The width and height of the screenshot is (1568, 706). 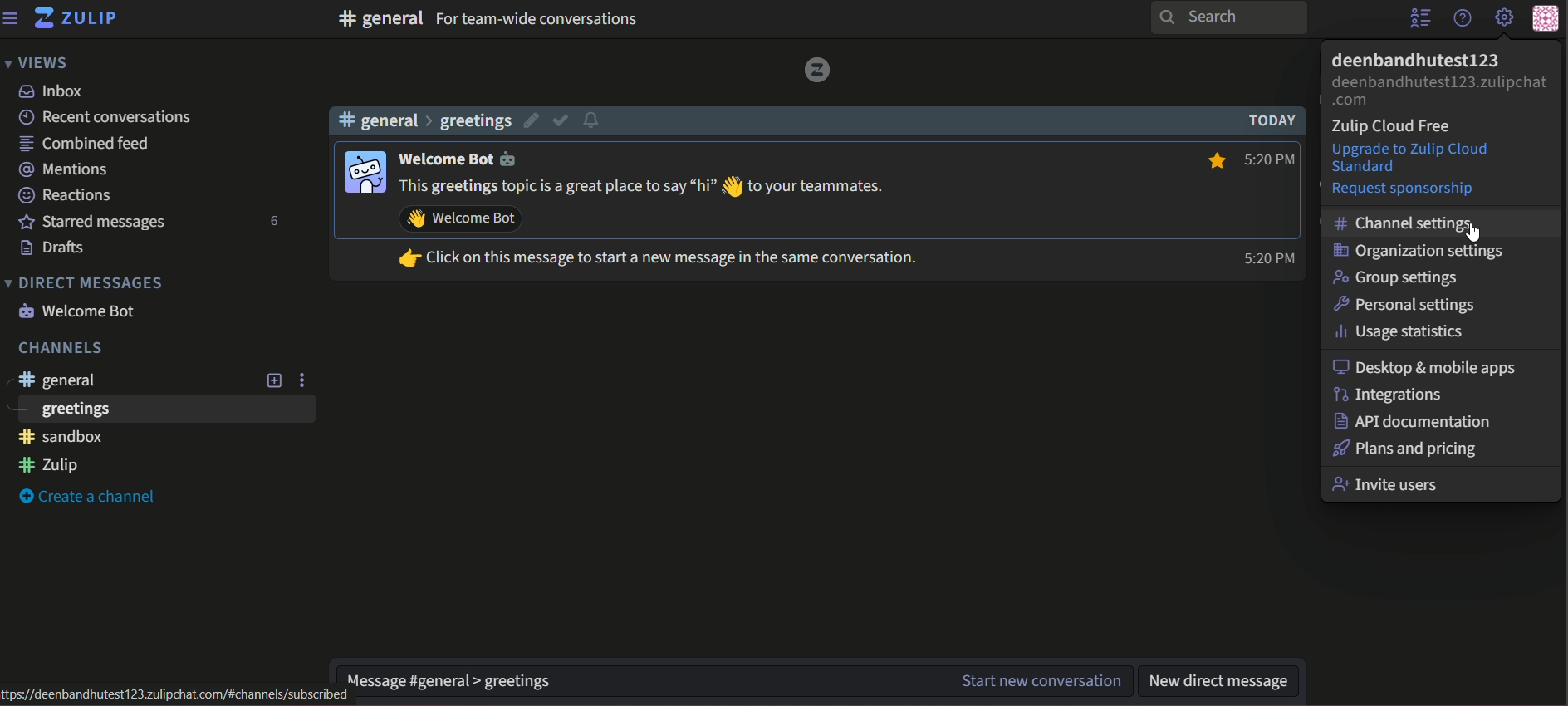 I want to click on create, so click(x=90, y=496).